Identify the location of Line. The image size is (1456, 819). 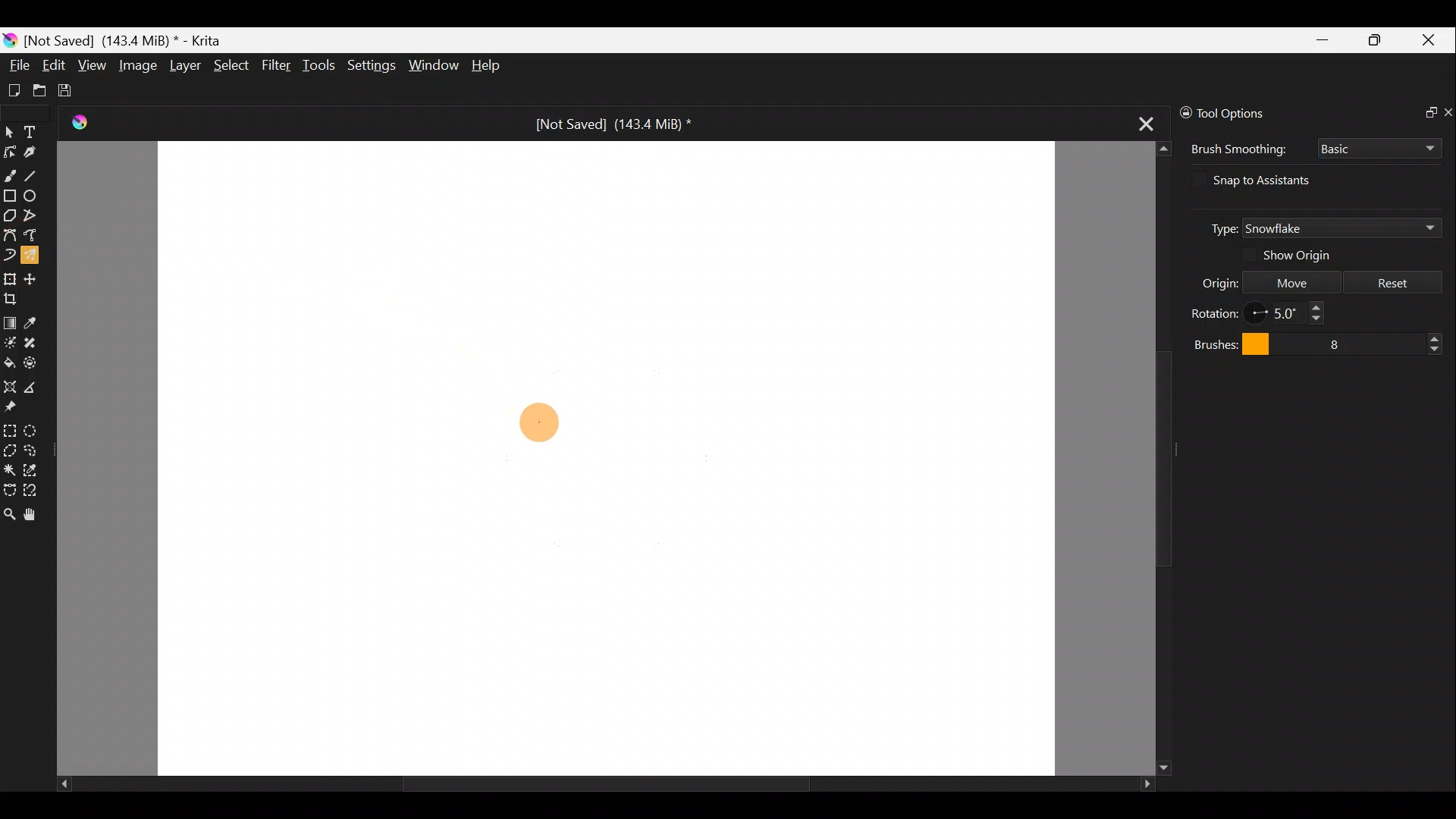
(33, 173).